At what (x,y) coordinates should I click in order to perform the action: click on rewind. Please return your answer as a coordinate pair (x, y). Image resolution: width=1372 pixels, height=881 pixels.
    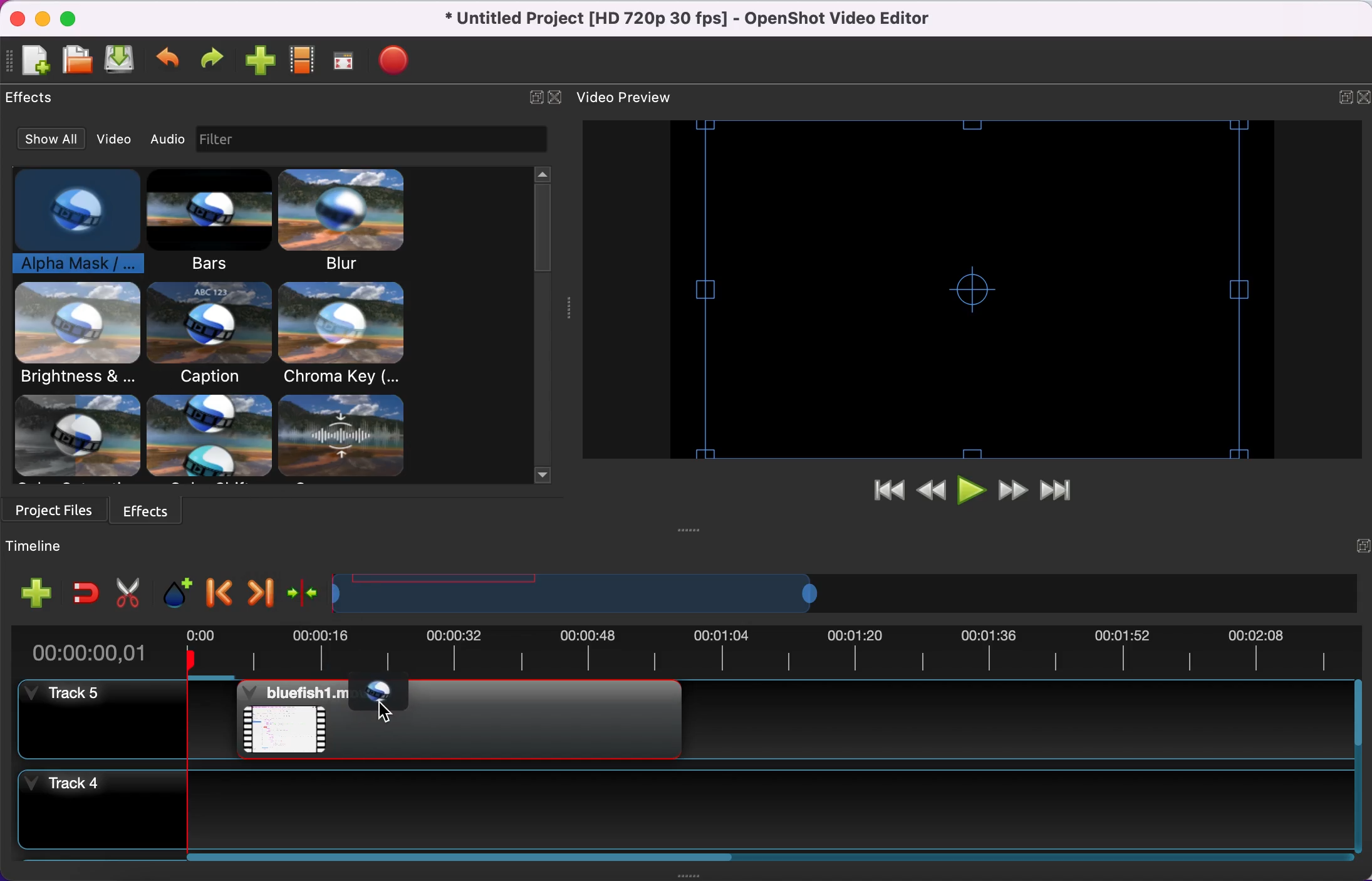
    Looking at the image, I should click on (932, 491).